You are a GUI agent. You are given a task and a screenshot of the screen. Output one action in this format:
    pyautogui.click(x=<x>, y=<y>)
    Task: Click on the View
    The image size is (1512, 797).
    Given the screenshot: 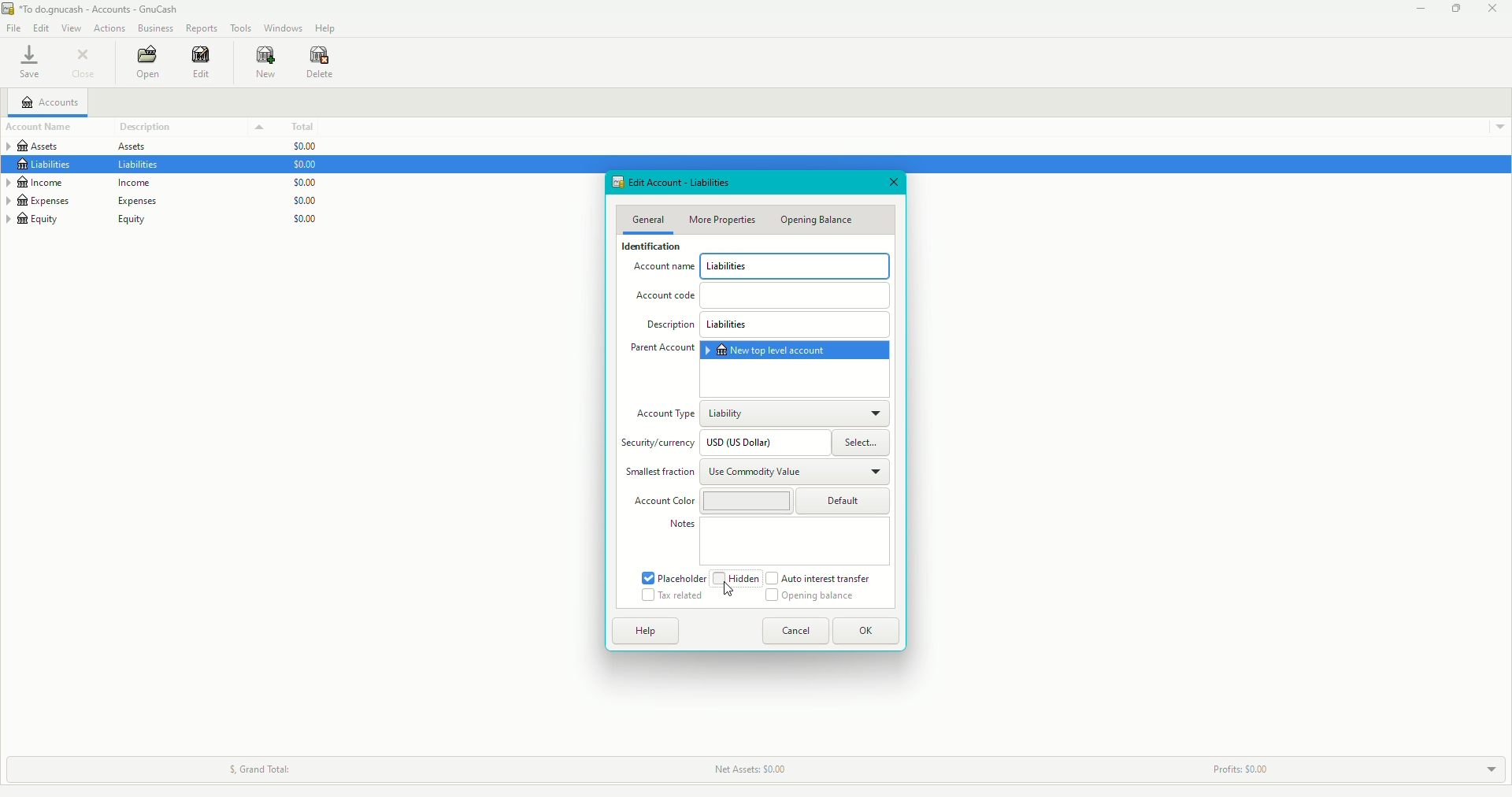 What is the action you would take?
    pyautogui.click(x=74, y=28)
    